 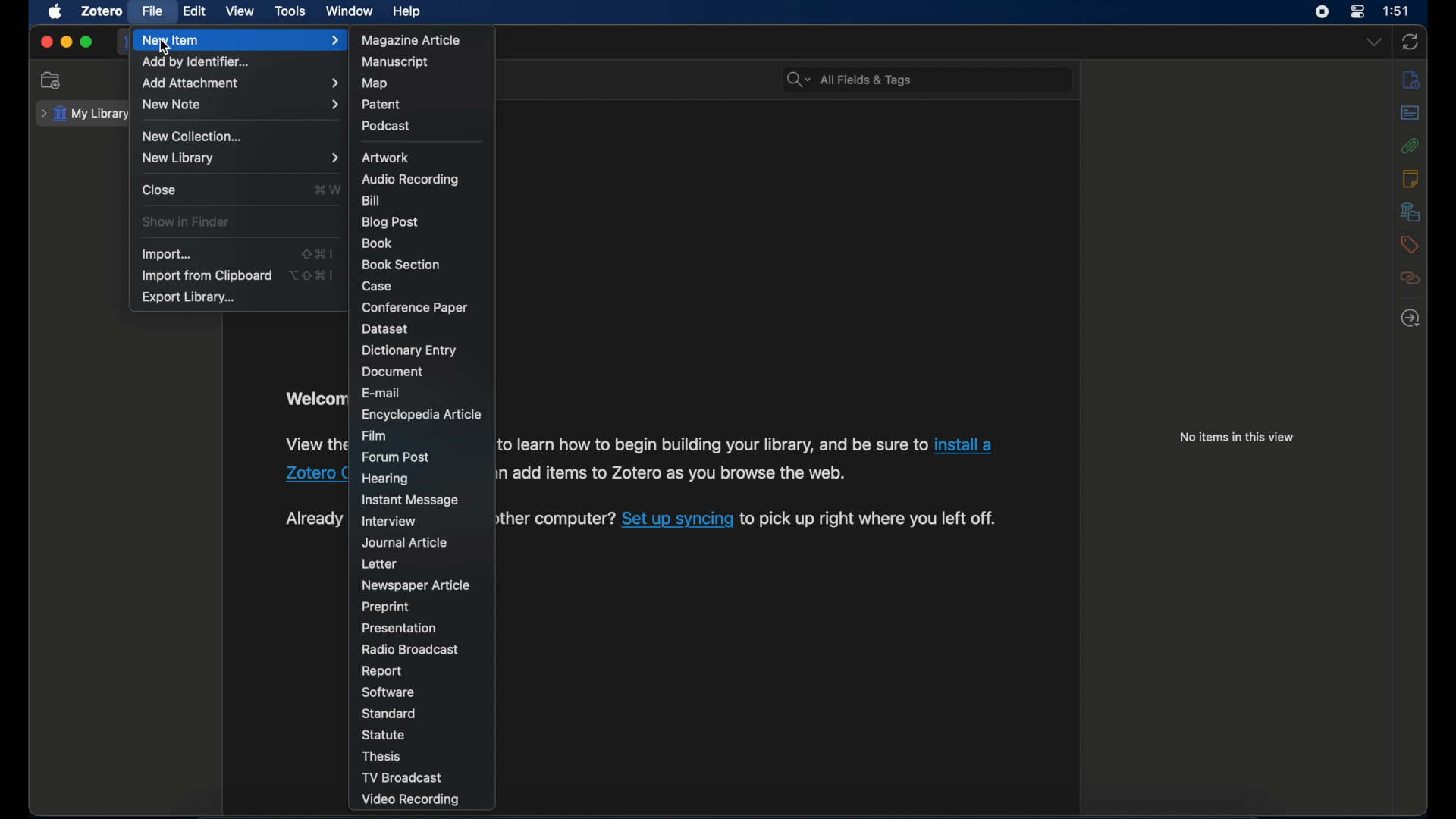 What do you see at coordinates (409, 500) in the screenshot?
I see `instant message` at bounding box center [409, 500].